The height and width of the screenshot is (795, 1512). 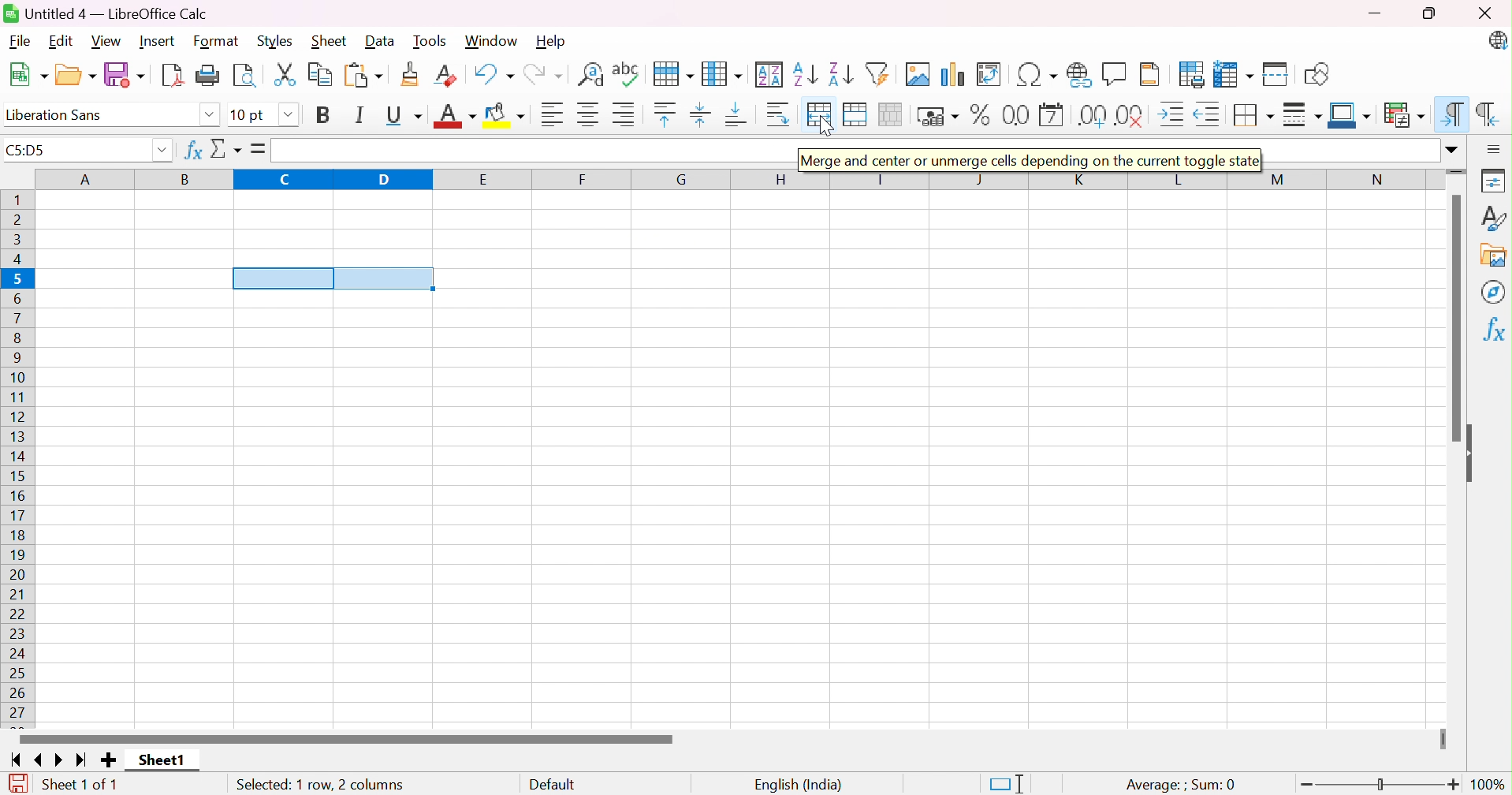 What do you see at coordinates (1494, 148) in the screenshot?
I see `Sidebar Settings` at bounding box center [1494, 148].